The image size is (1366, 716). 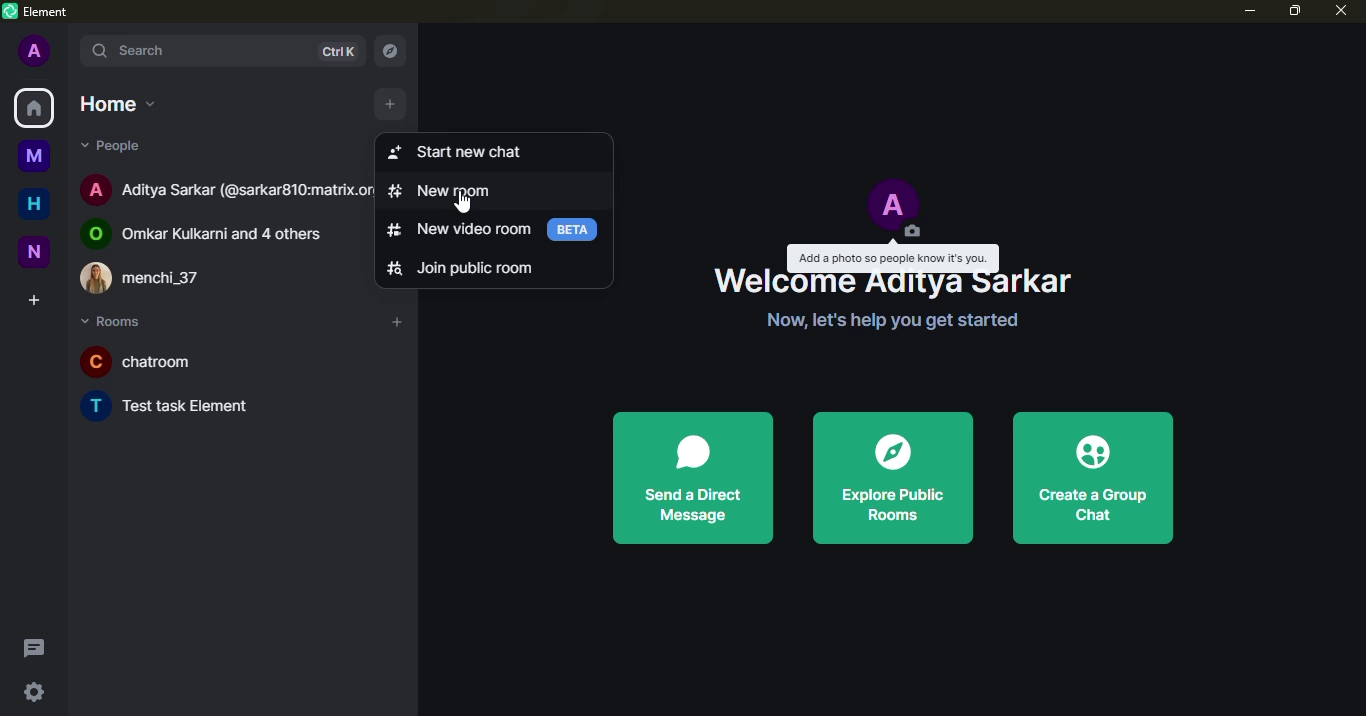 What do you see at coordinates (462, 229) in the screenshot?
I see `new video room` at bounding box center [462, 229].